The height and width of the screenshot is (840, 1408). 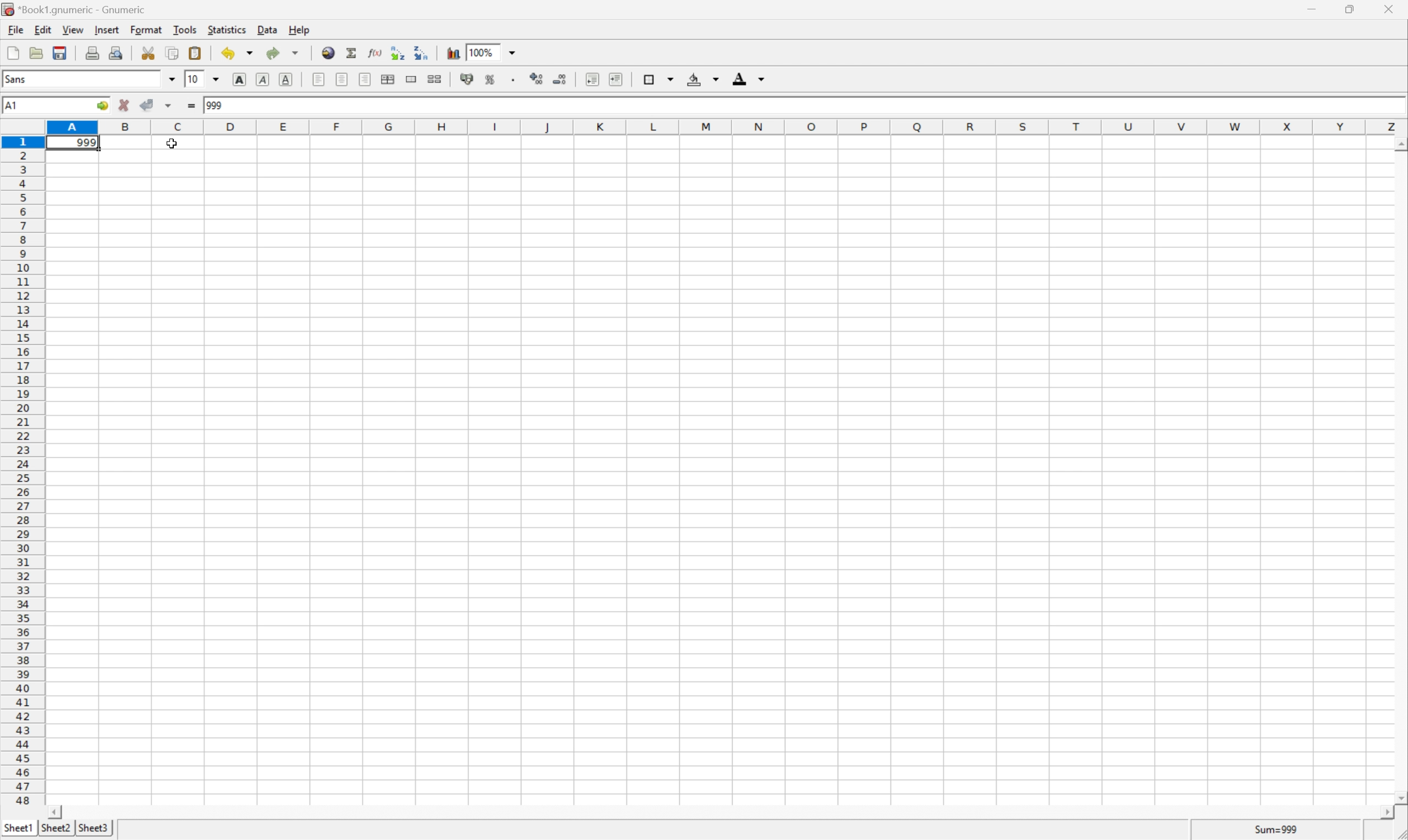 I want to click on scroll right, so click(x=1385, y=816).